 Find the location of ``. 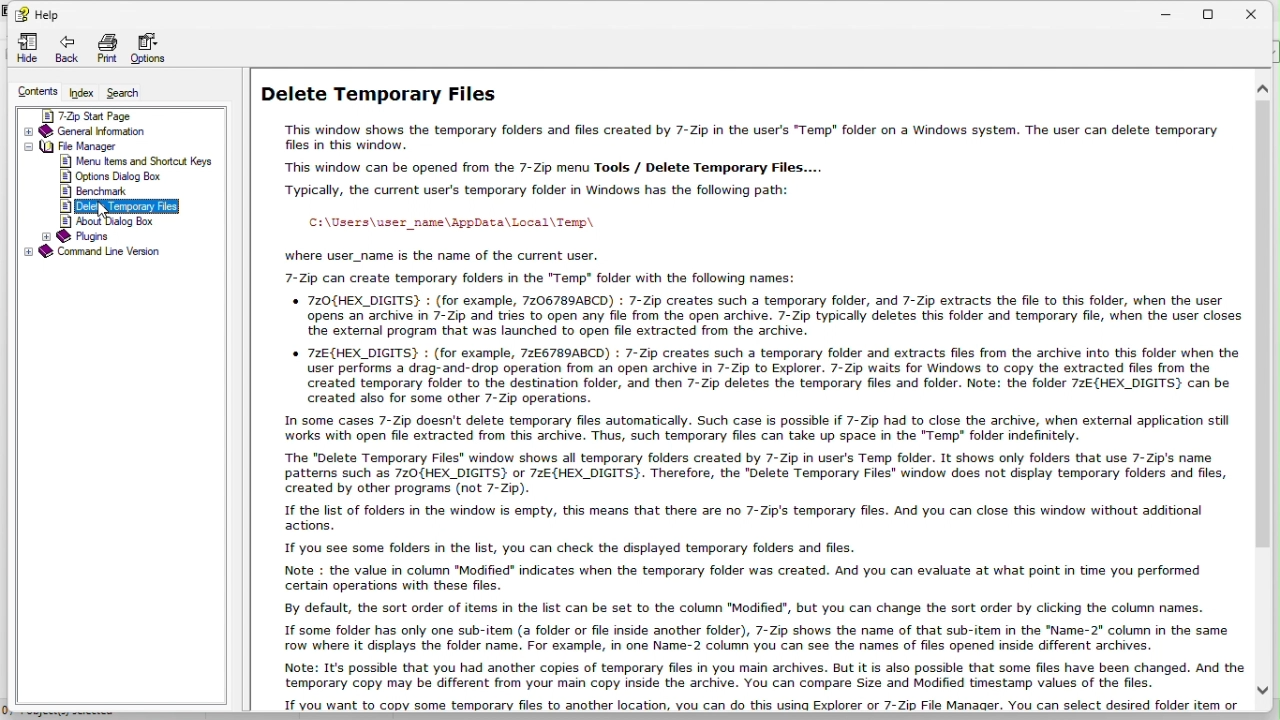

 is located at coordinates (24, 49).